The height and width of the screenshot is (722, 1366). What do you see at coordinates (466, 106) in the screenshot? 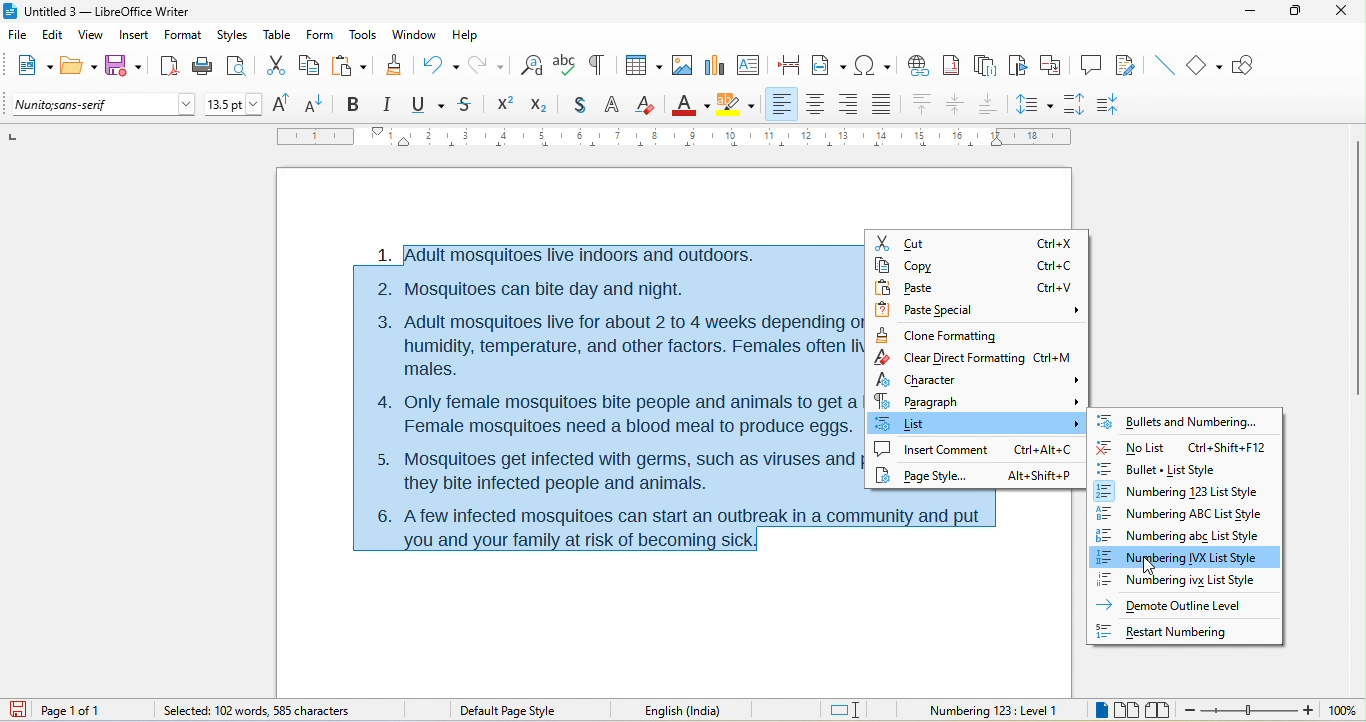
I see `strikethrough` at bounding box center [466, 106].